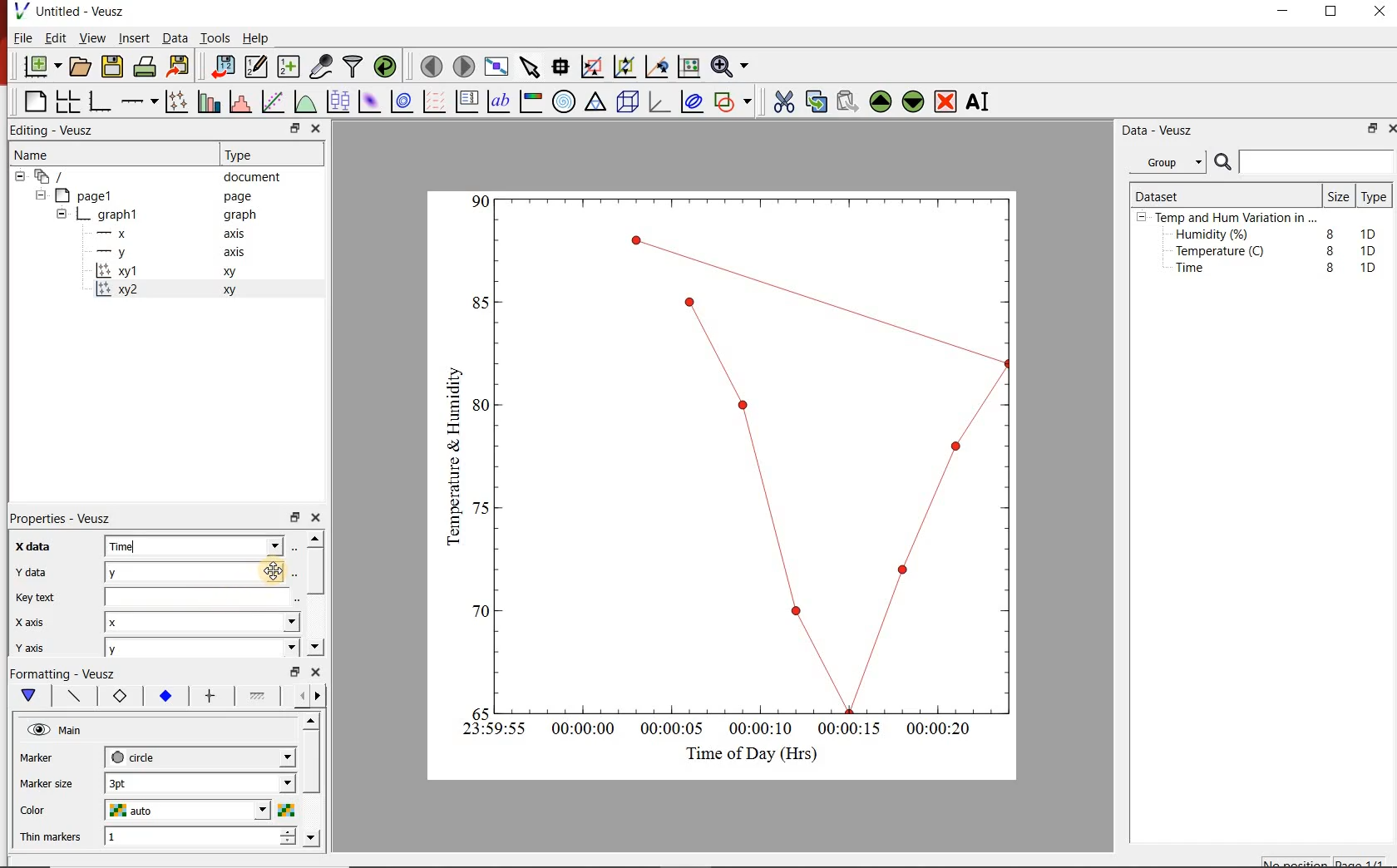 This screenshot has height=868, width=1397. I want to click on open a document, so click(81, 67).